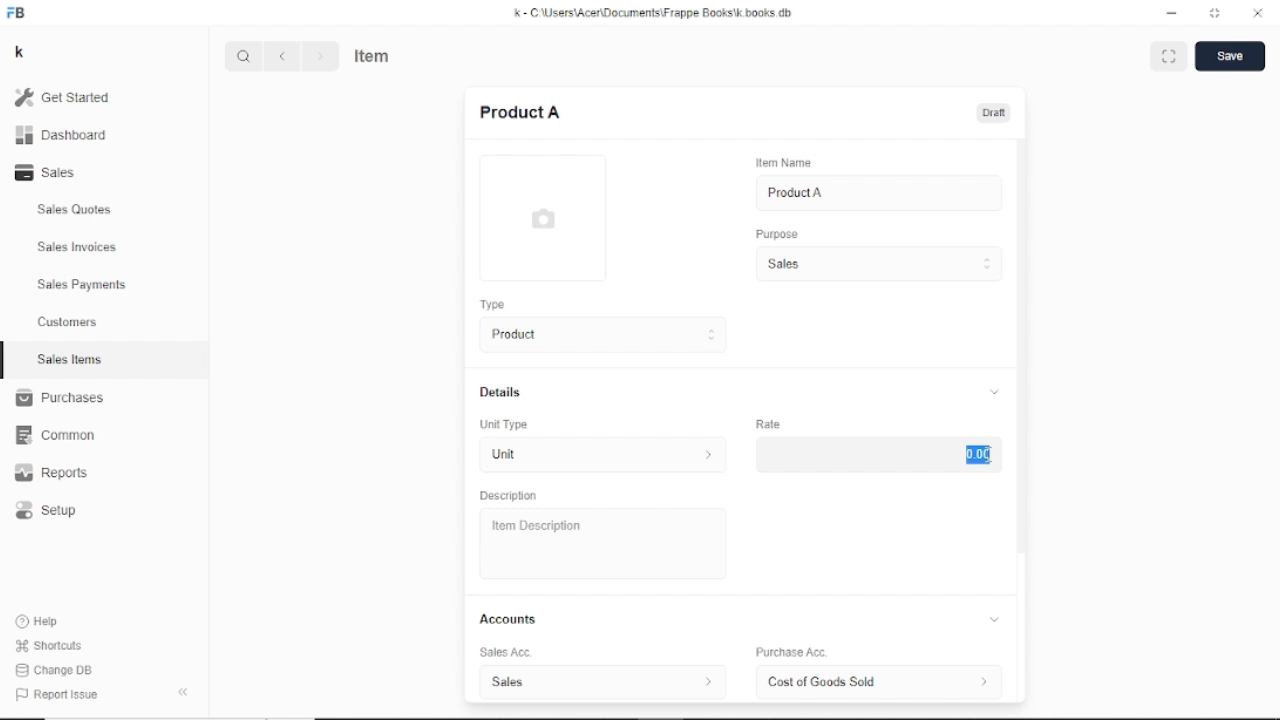  I want to click on Vertical scrollbar, so click(1023, 345).